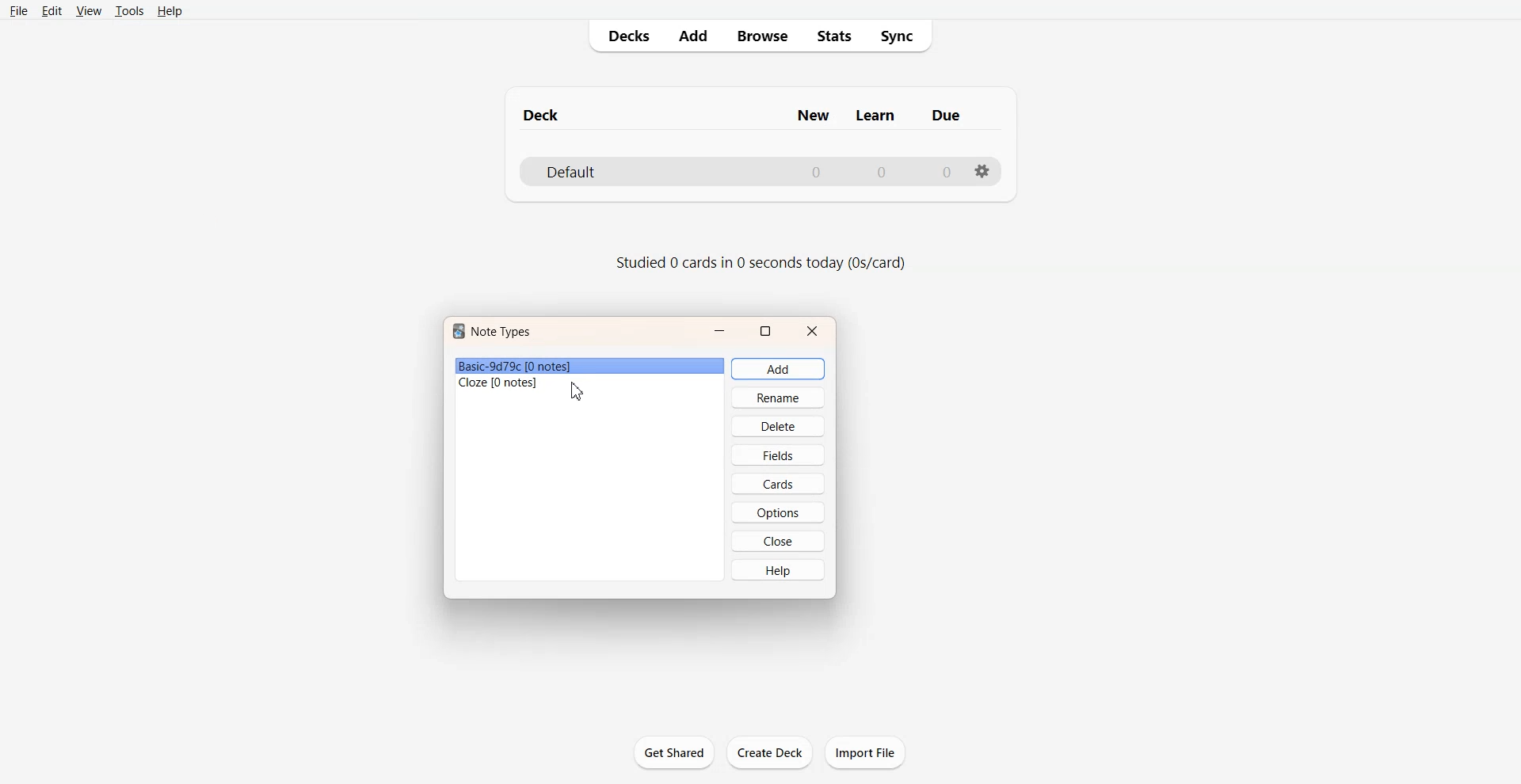 This screenshot has width=1521, height=784. What do you see at coordinates (982, 172) in the screenshot?
I see `Settings` at bounding box center [982, 172].